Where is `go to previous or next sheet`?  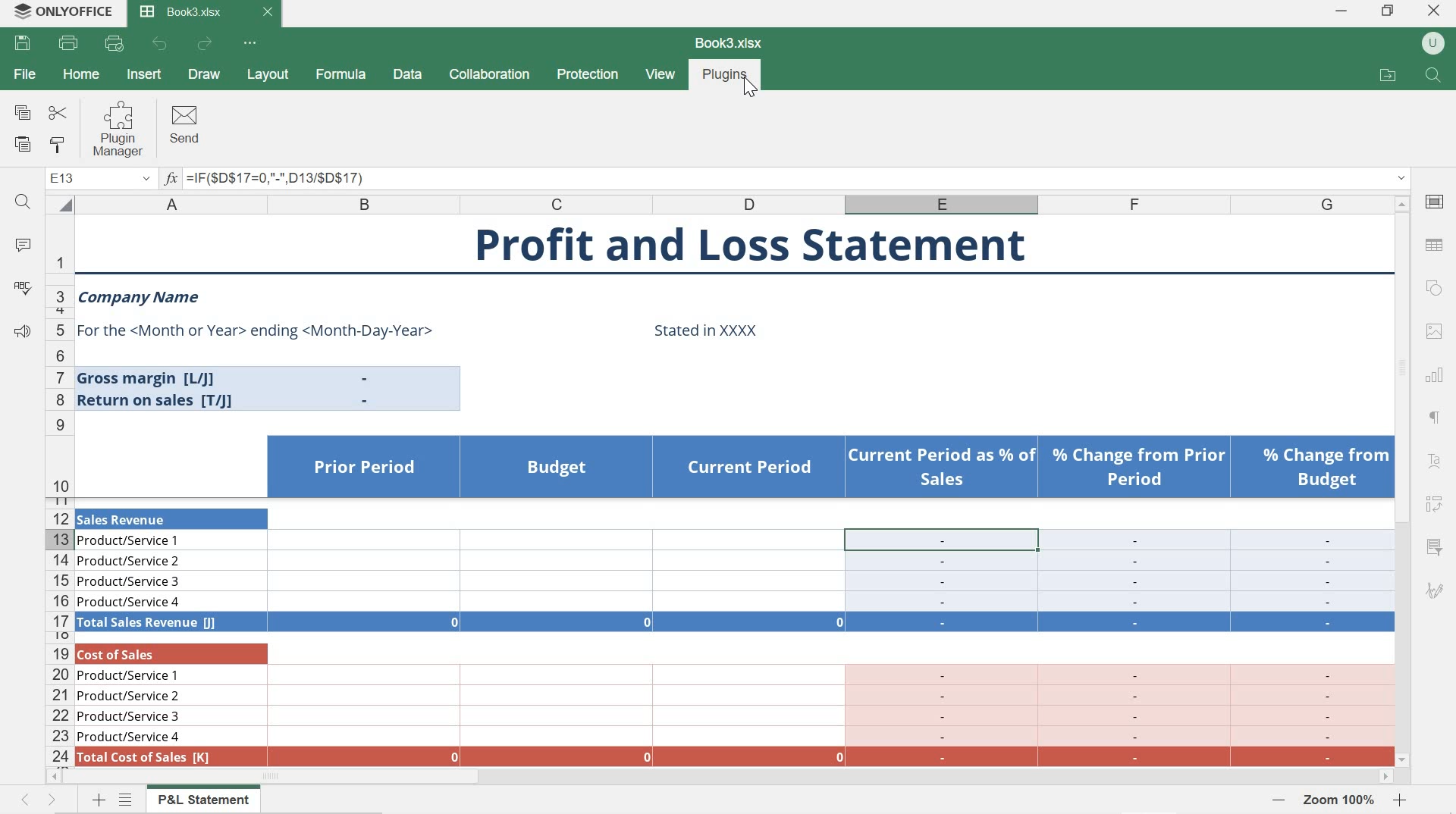
go to previous or next sheet is located at coordinates (36, 800).